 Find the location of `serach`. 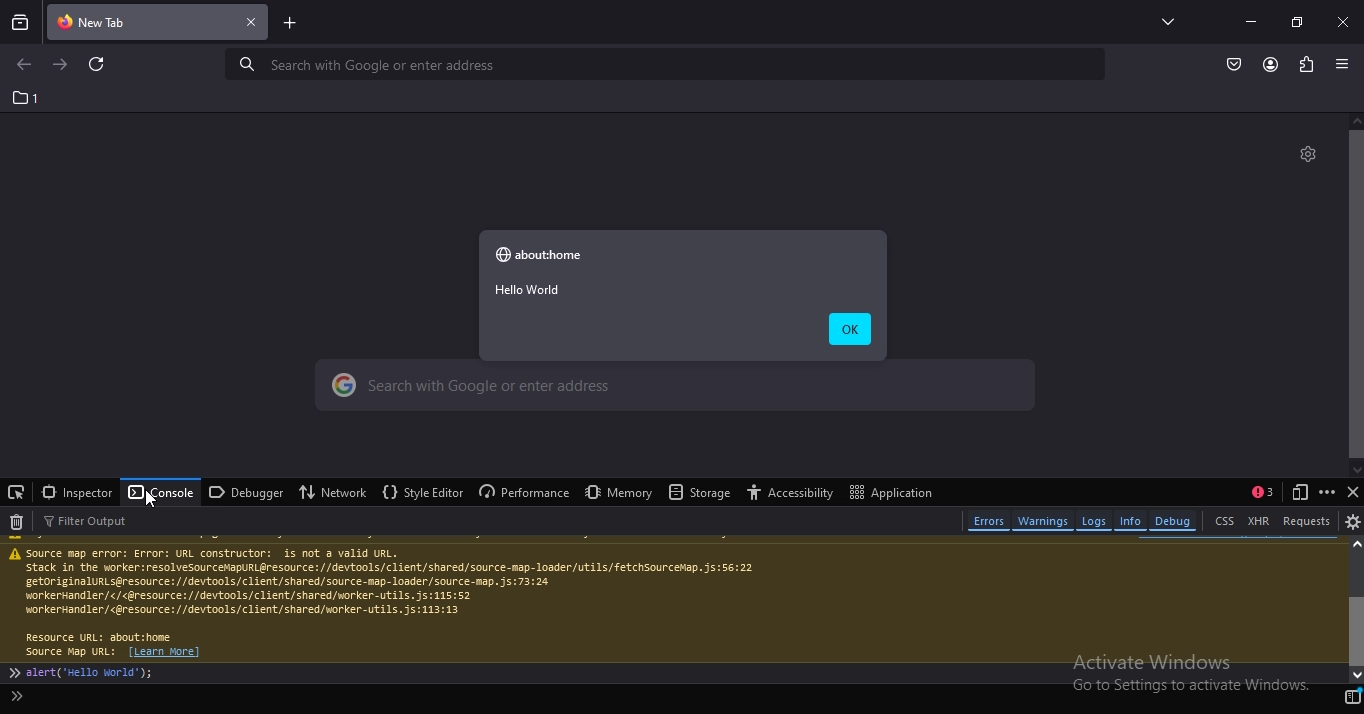

serach is located at coordinates (657, 64).